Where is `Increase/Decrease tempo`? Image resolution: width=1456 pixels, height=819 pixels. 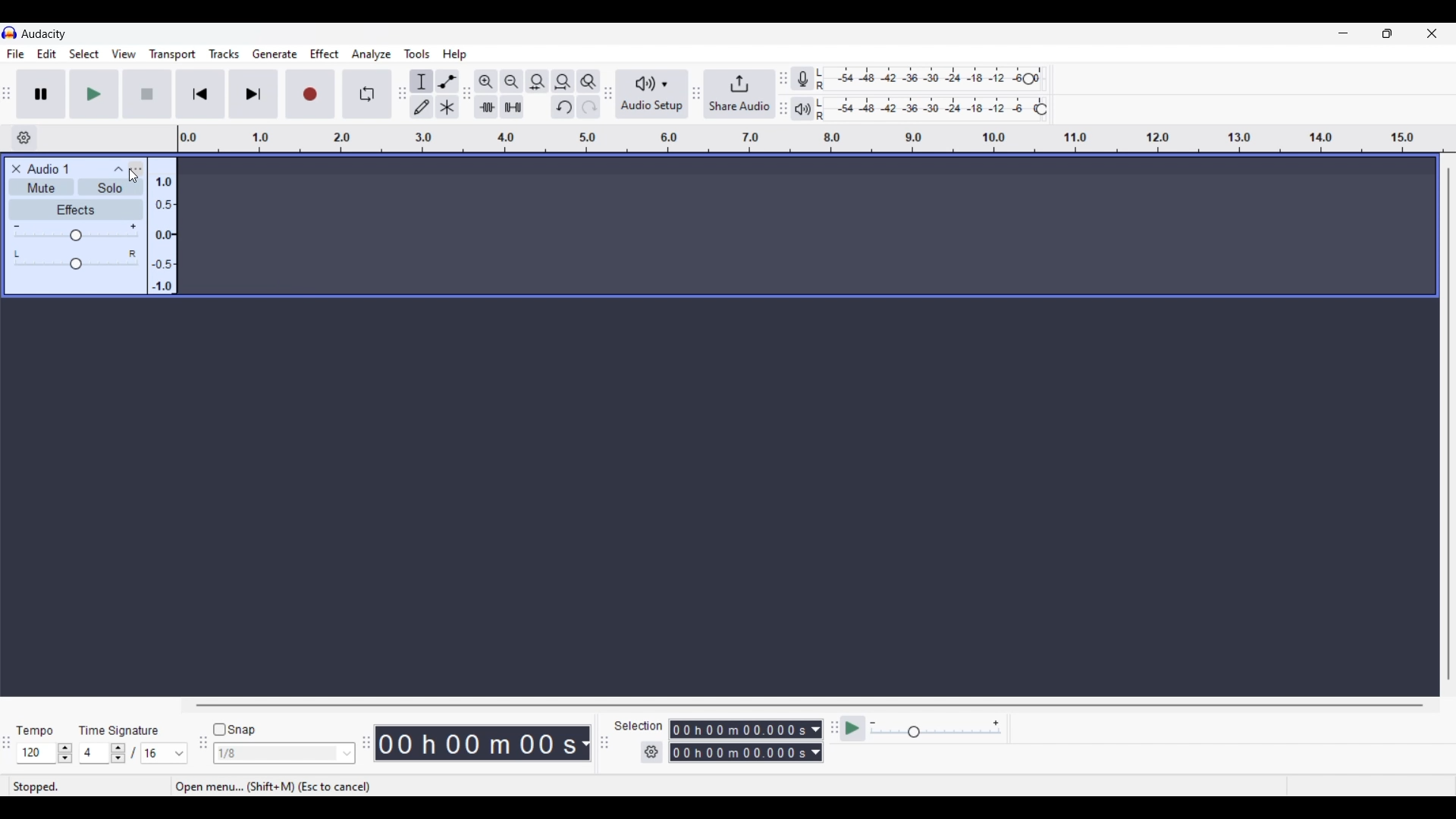 Increase/Decrease tempo is located at coordinates (65, 753).